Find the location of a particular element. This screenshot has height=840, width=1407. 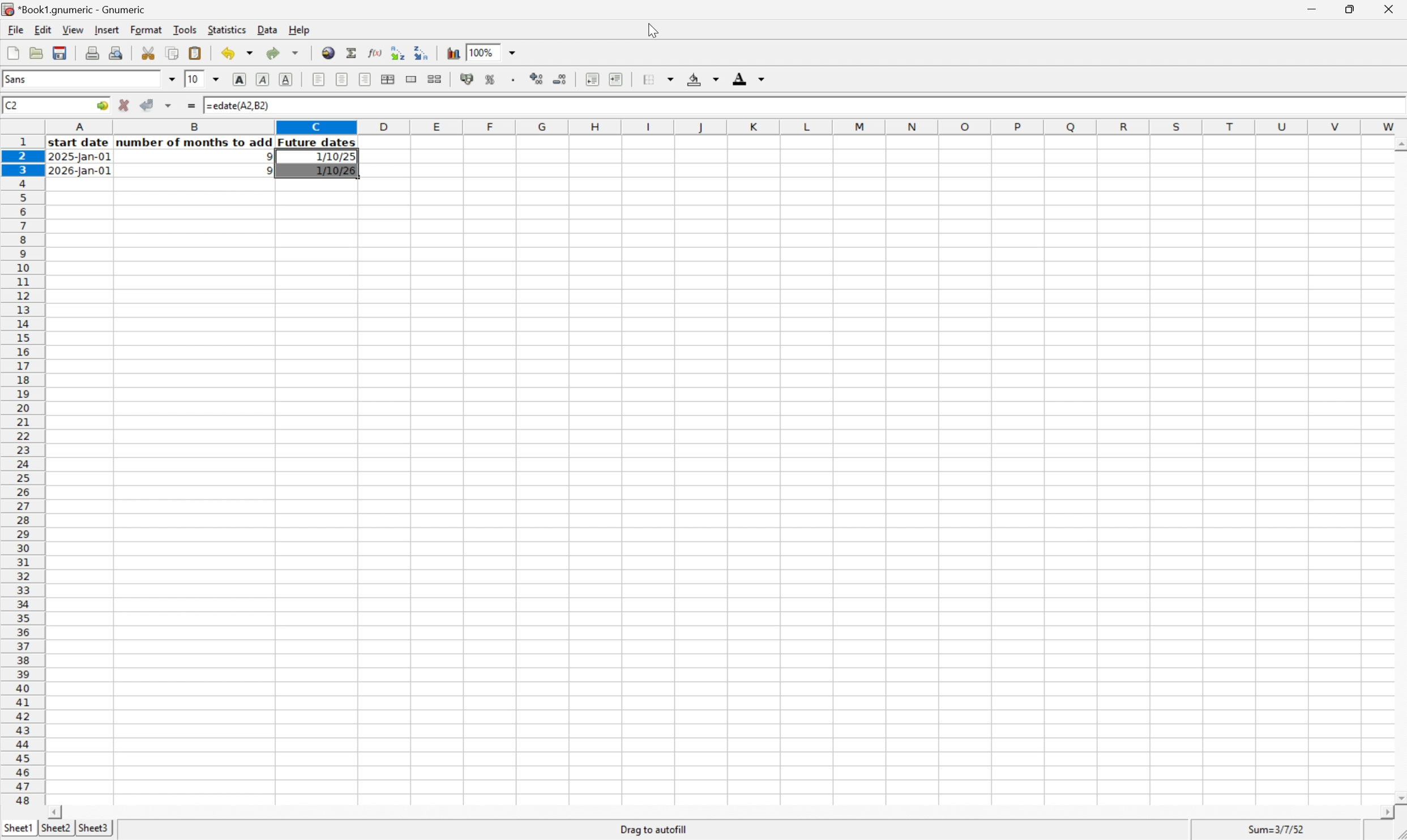

number of months to add is located at coordinates (195, 143).